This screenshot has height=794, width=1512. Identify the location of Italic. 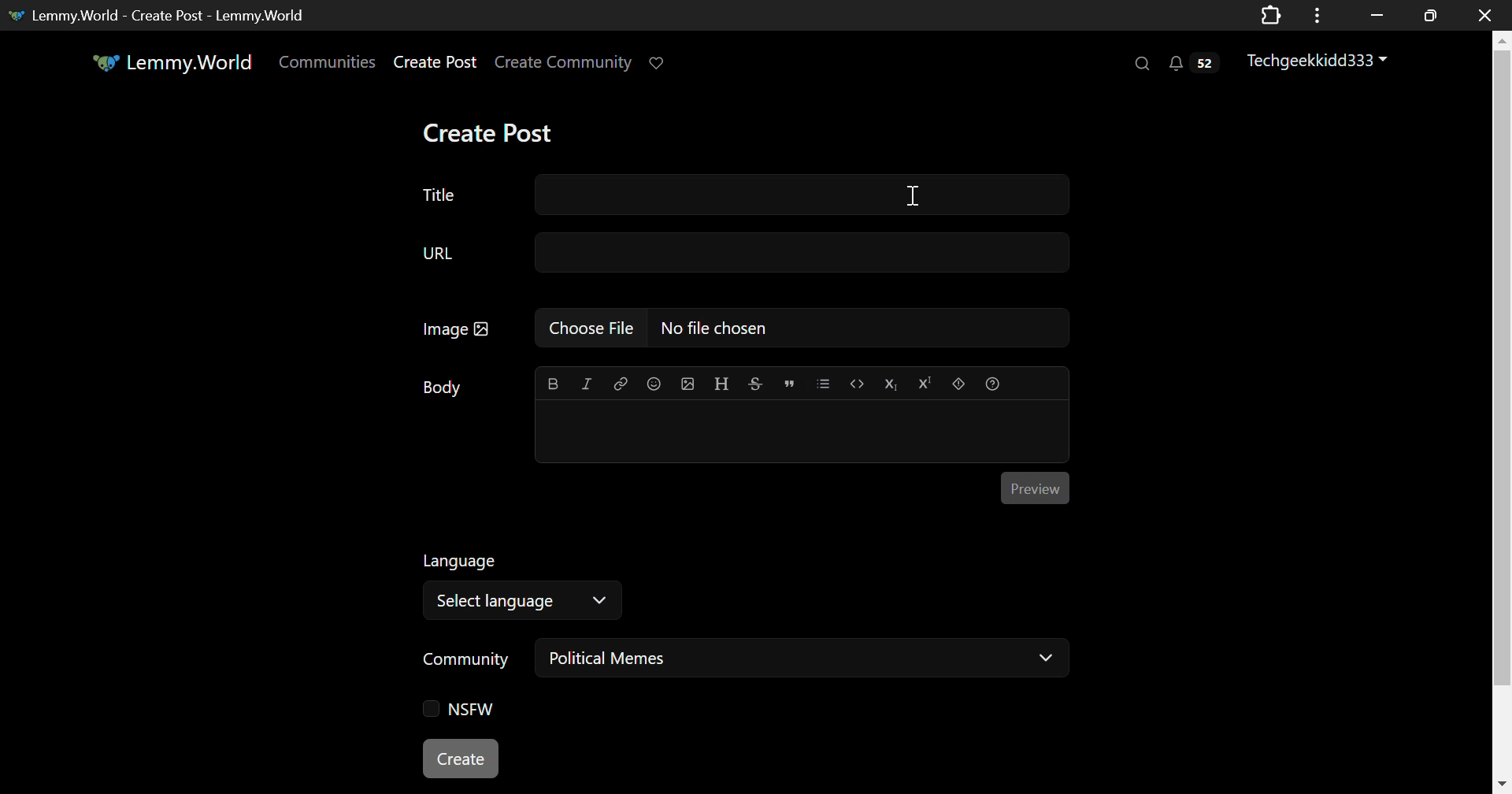
(586, 382).